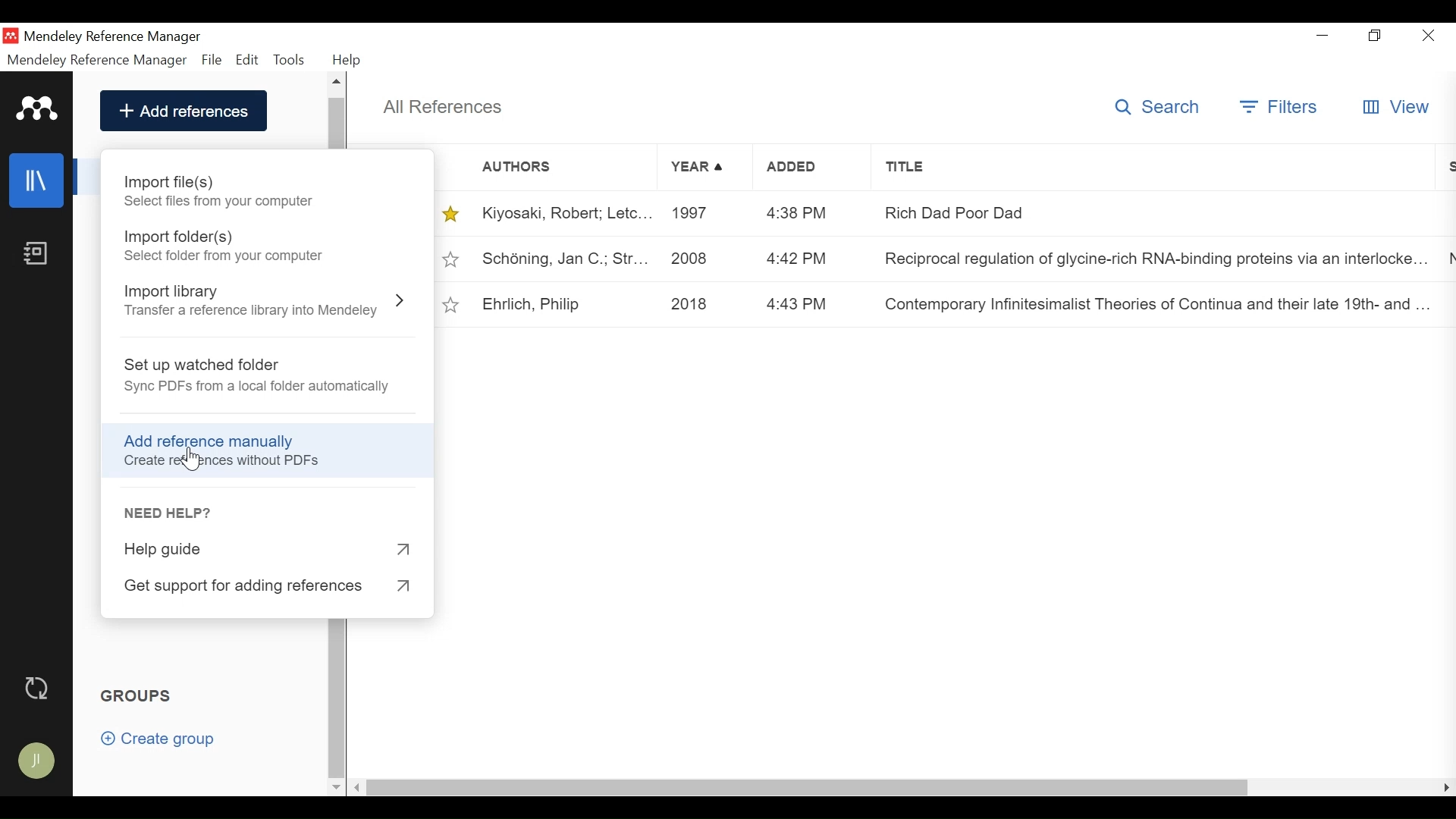 The image size is (1456, 819). I want to click on Close, so click(1428, 37).